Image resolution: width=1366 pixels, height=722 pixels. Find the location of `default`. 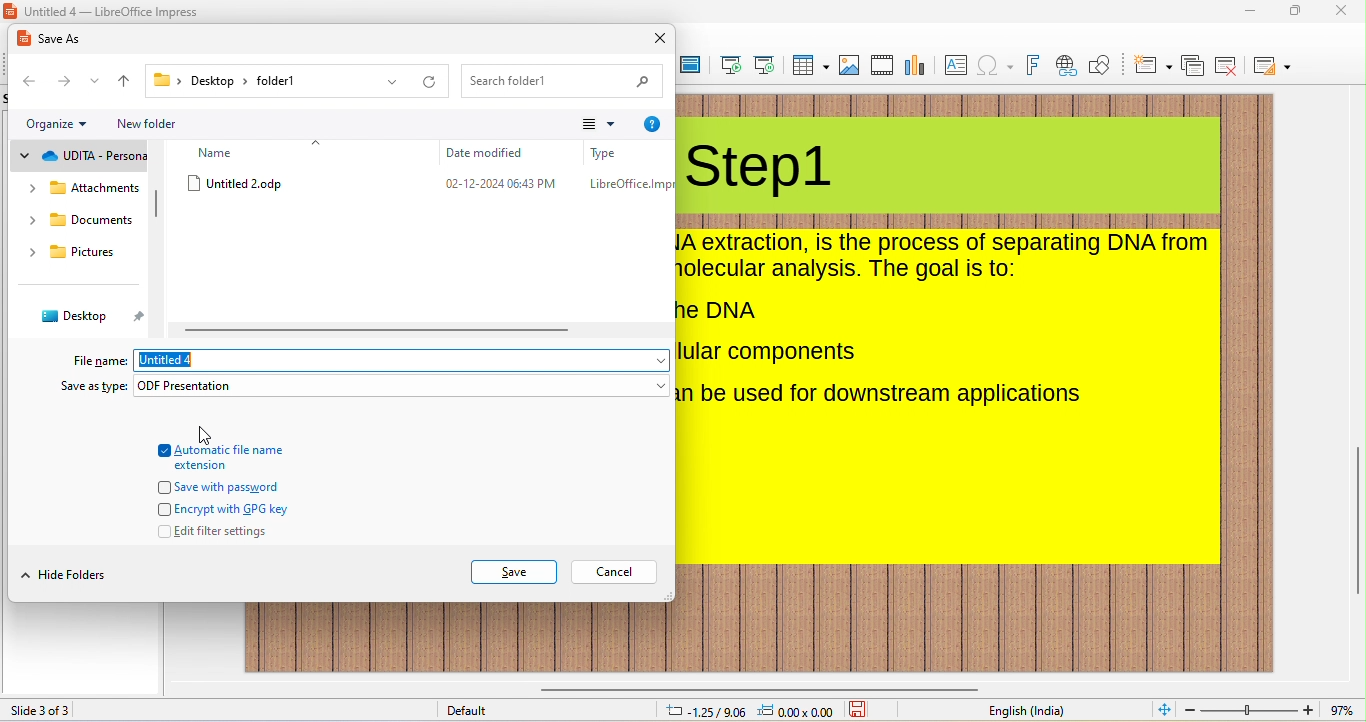

default is located at coordinates (475, 712).